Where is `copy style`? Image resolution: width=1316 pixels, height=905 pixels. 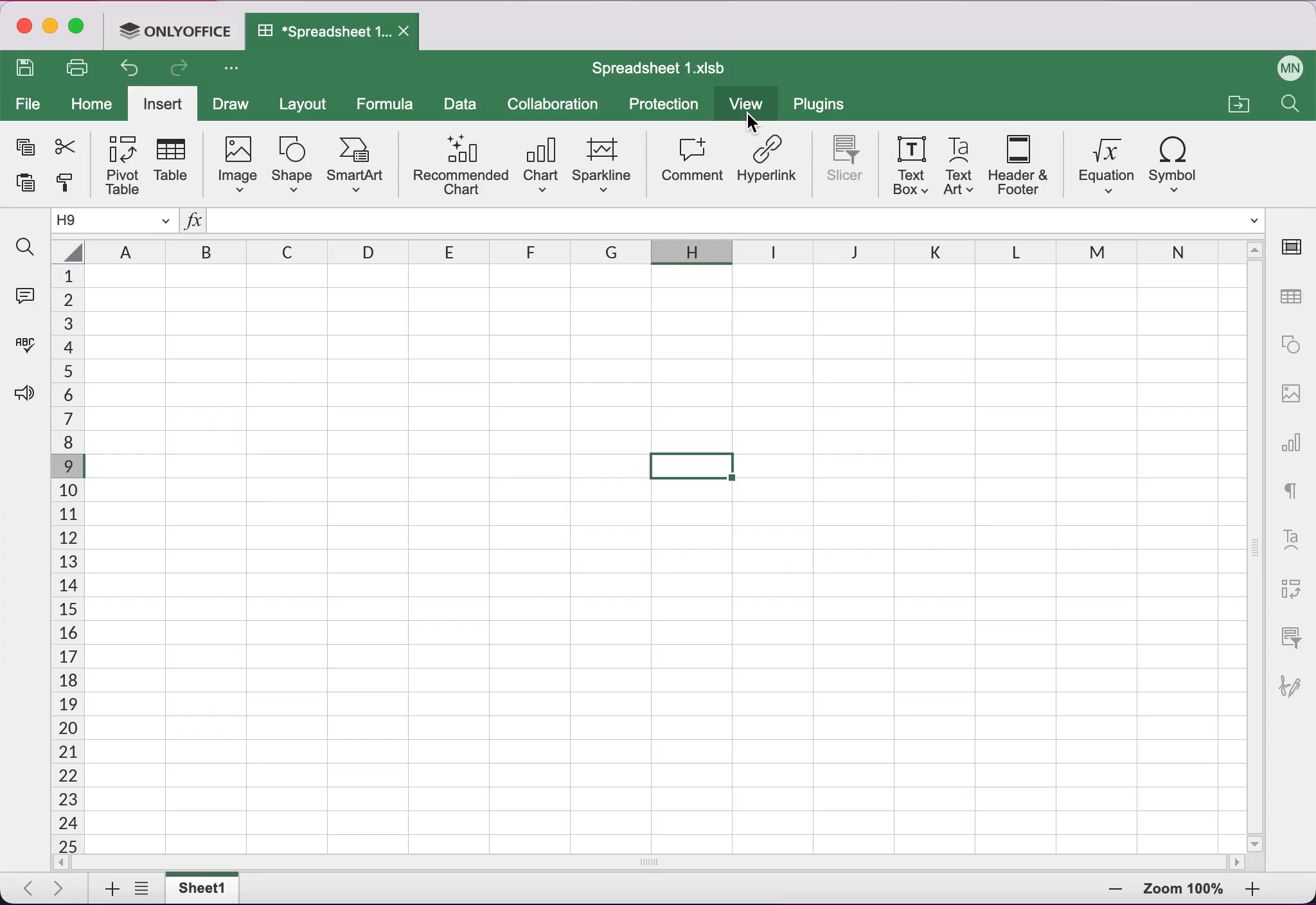 copy style is located at coordinates (69, 186).